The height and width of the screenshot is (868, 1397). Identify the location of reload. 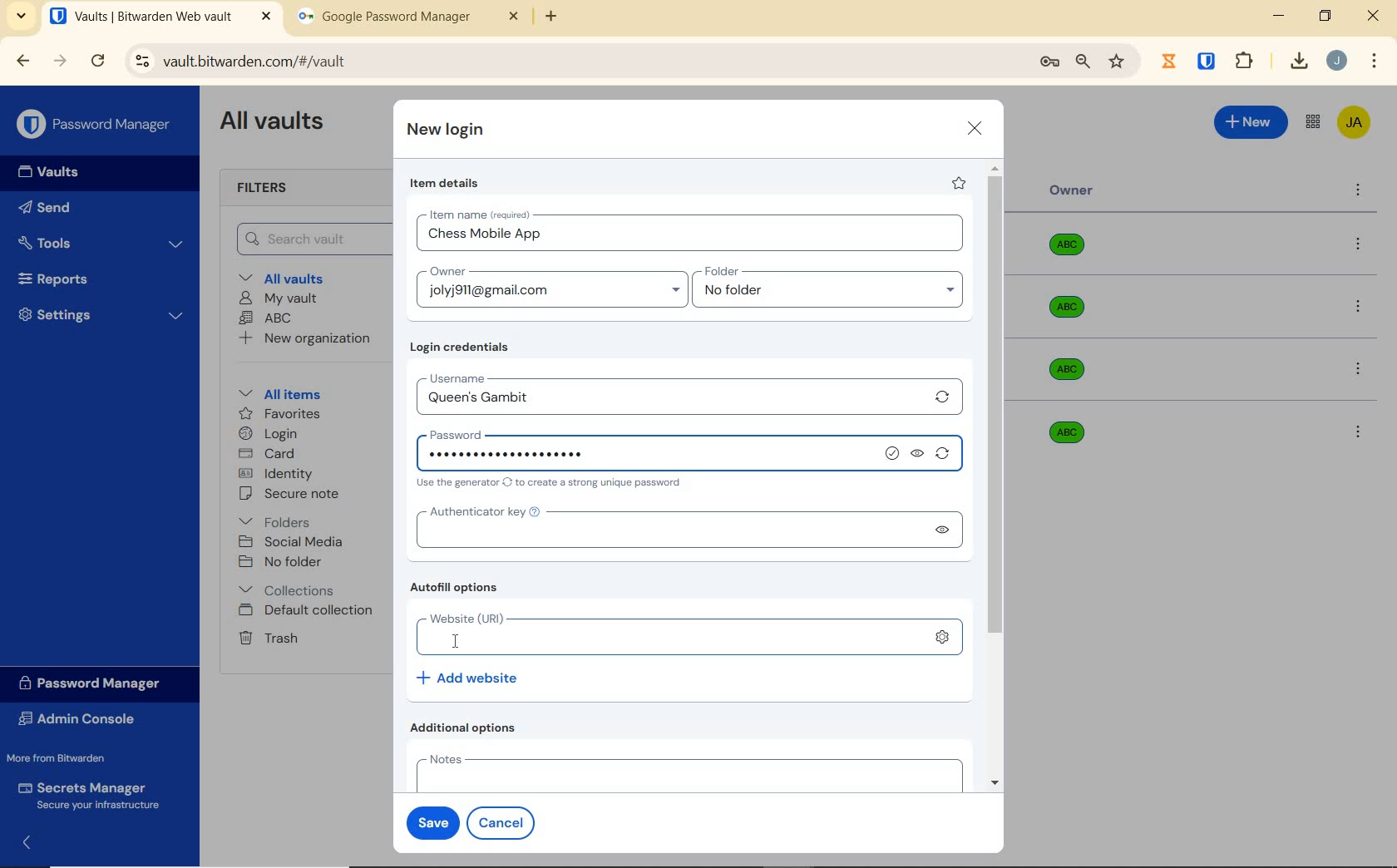
(97, 62).